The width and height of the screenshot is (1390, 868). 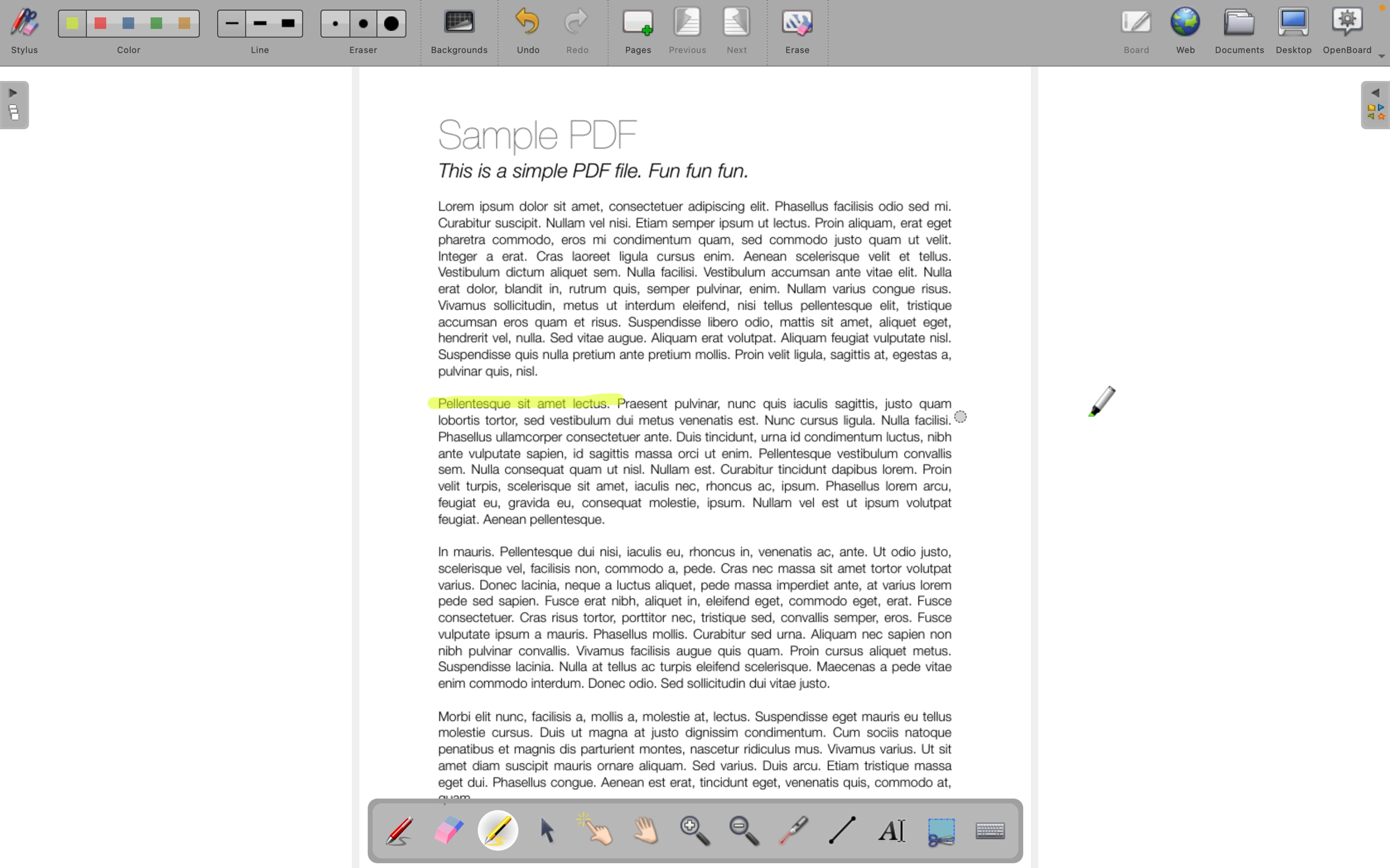 I want to click on zoom out, so click(x=748, y=834).